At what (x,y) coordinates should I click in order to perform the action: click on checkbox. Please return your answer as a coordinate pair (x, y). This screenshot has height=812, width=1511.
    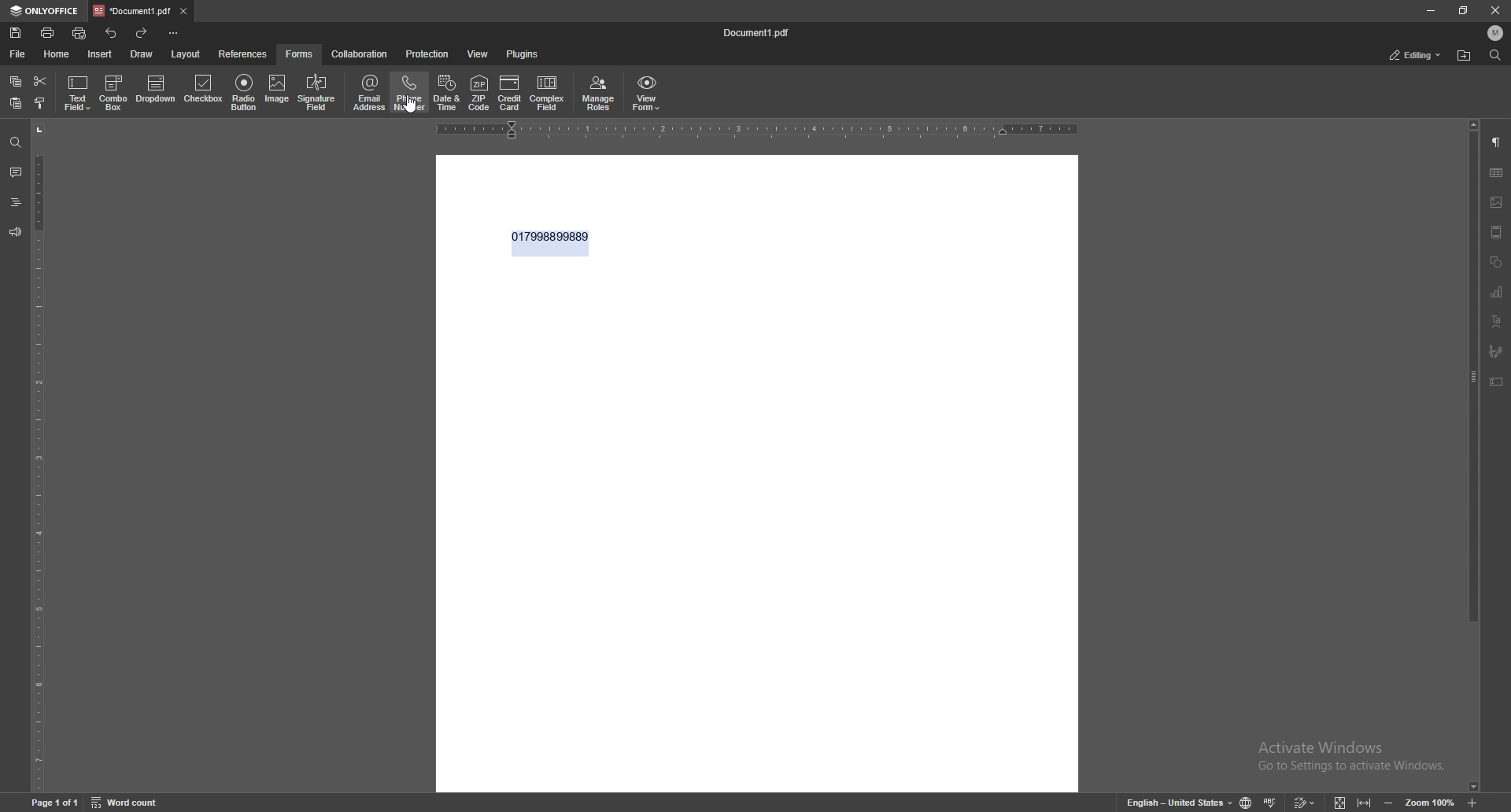
    Looking at the image, I should click on (204, 90).